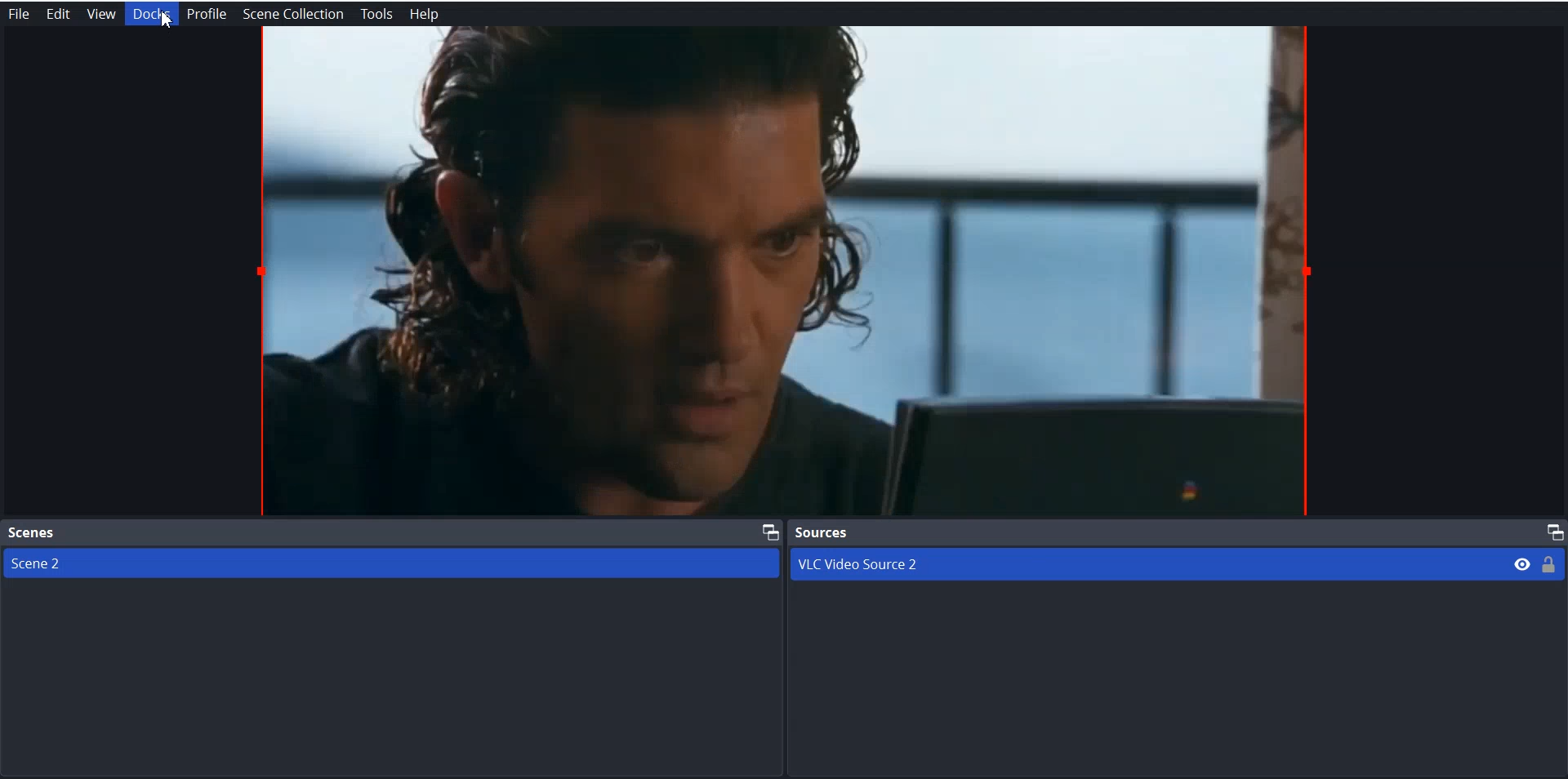 The image size is (1568, 779). I want to click on Maximize, so click(768, 533).